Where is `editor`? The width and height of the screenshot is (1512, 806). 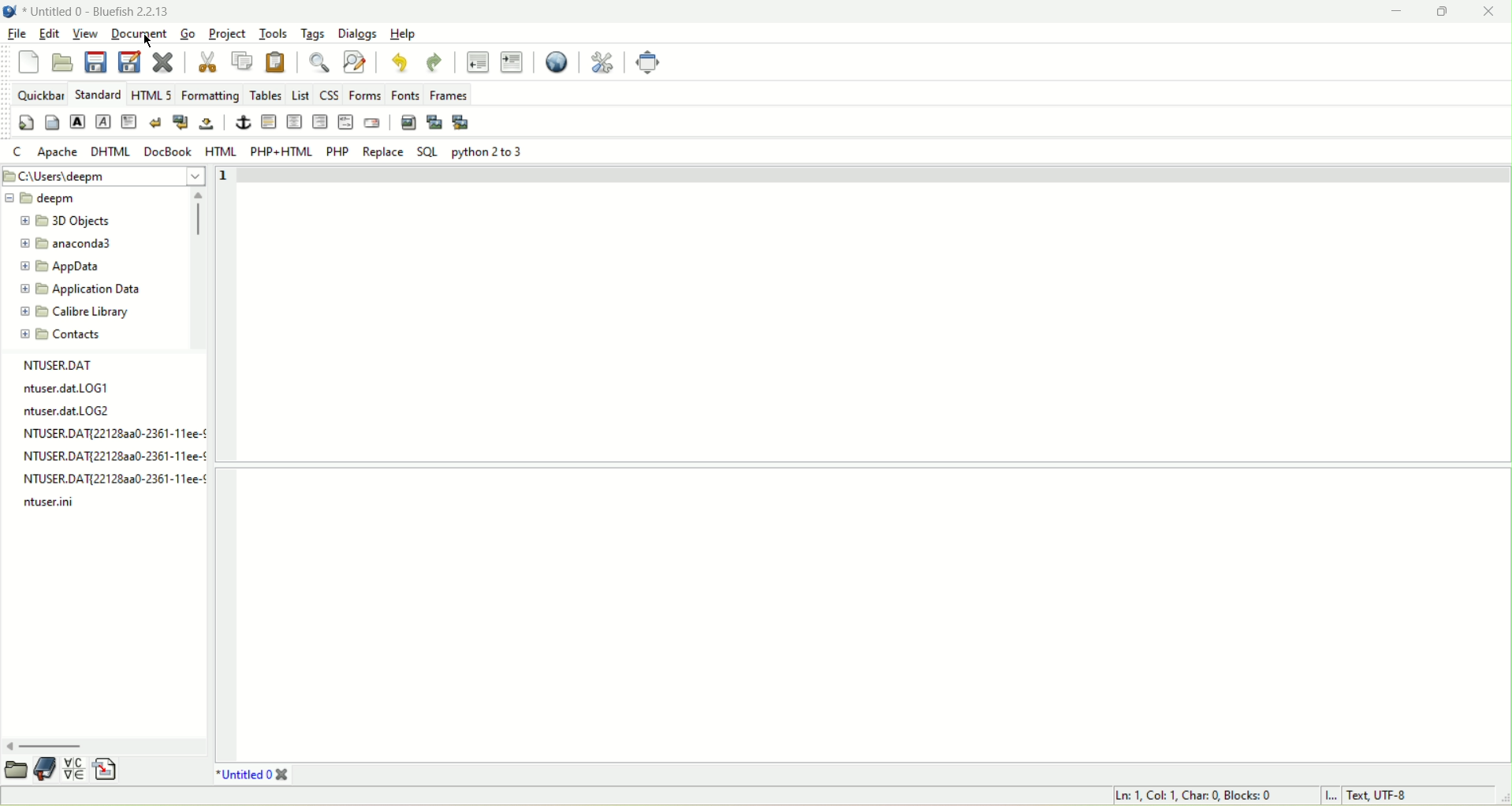
editor is located at coordinates (876, 463).